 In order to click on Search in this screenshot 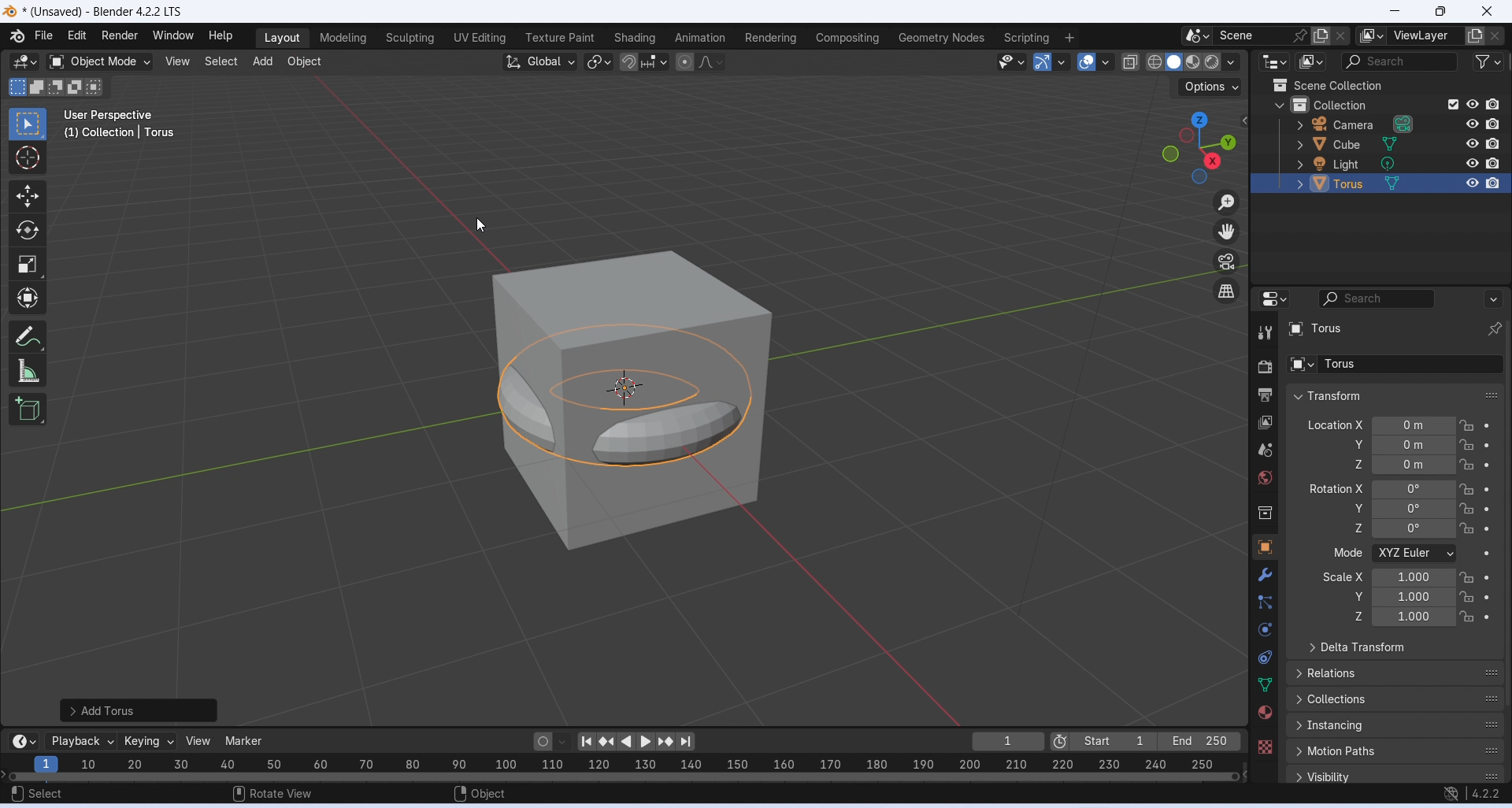, I will do `click(1410, 298)`.